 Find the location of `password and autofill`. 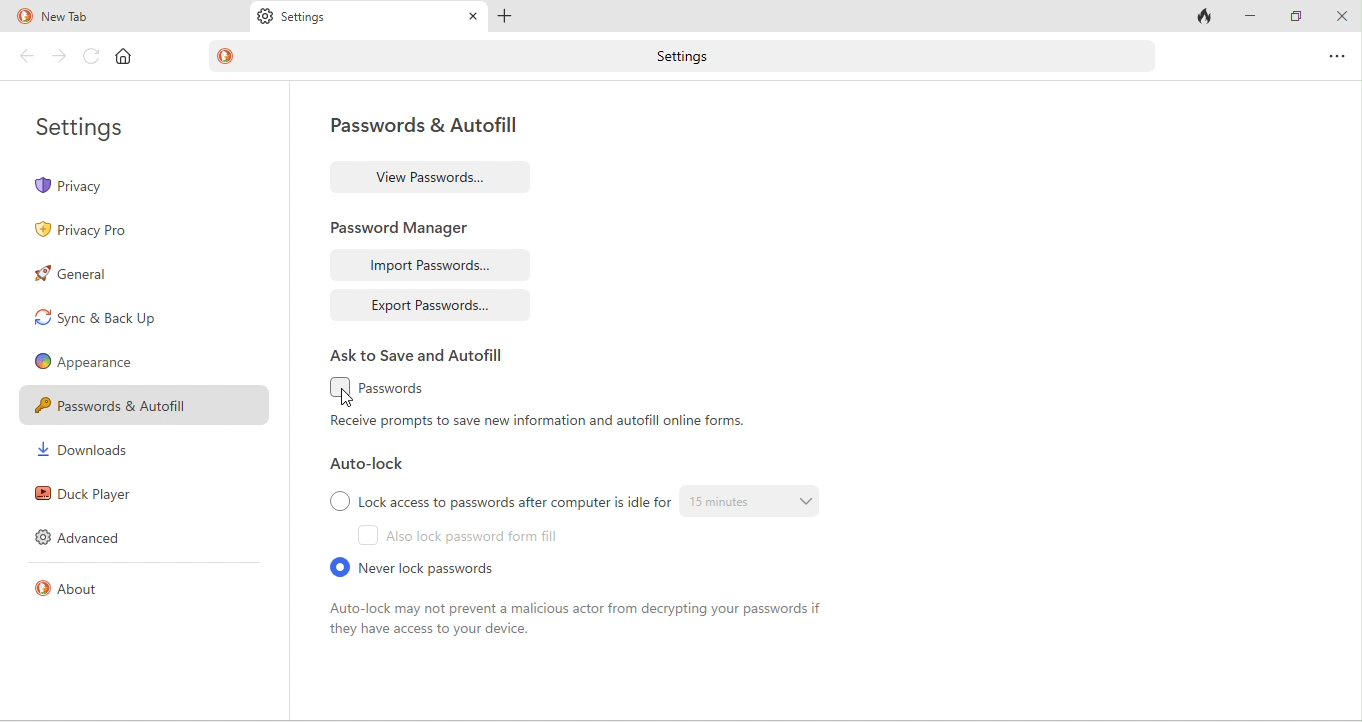

password and autofill is located at coordinates (418, 128).